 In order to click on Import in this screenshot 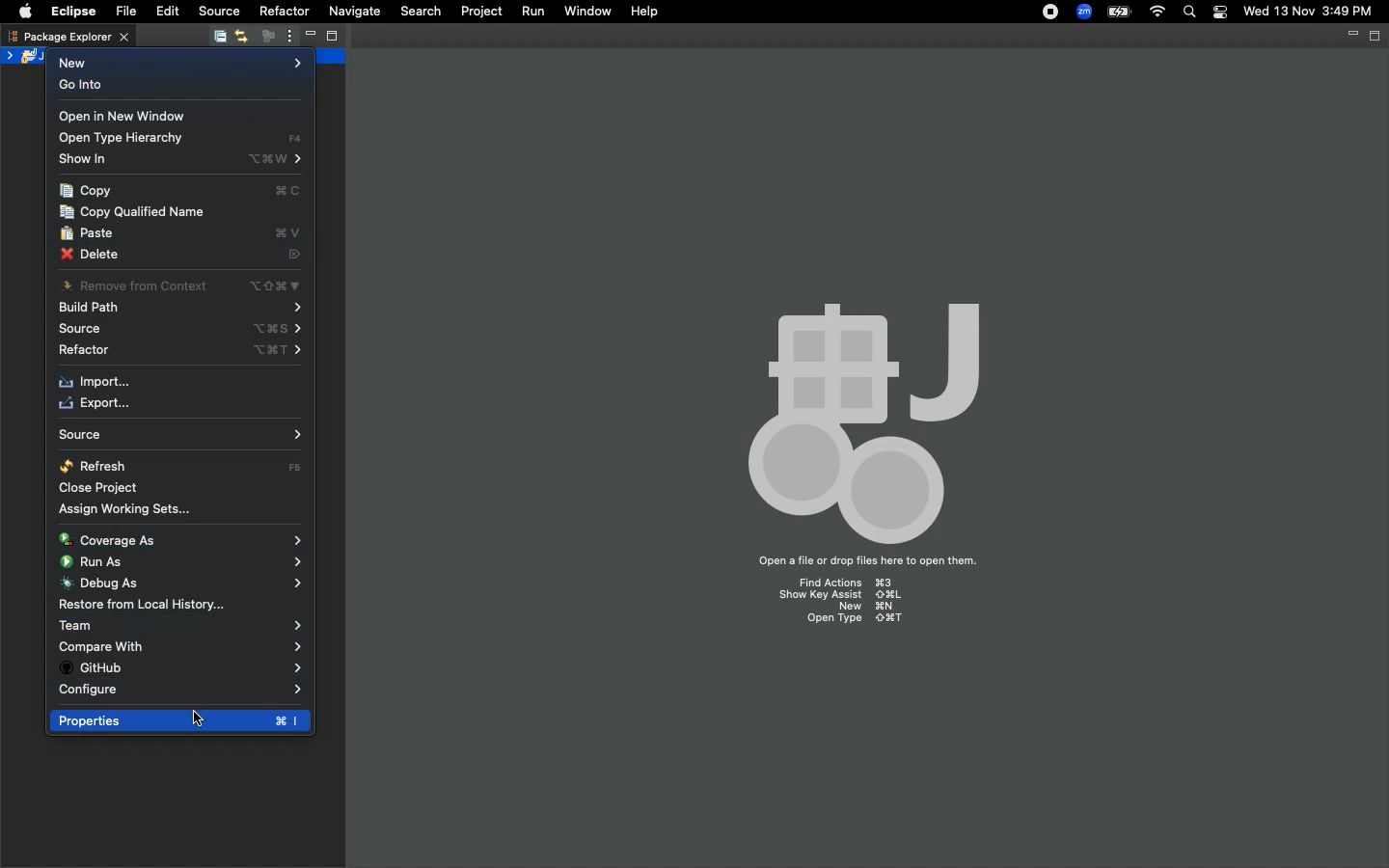, I will do `click(98, 381)`.